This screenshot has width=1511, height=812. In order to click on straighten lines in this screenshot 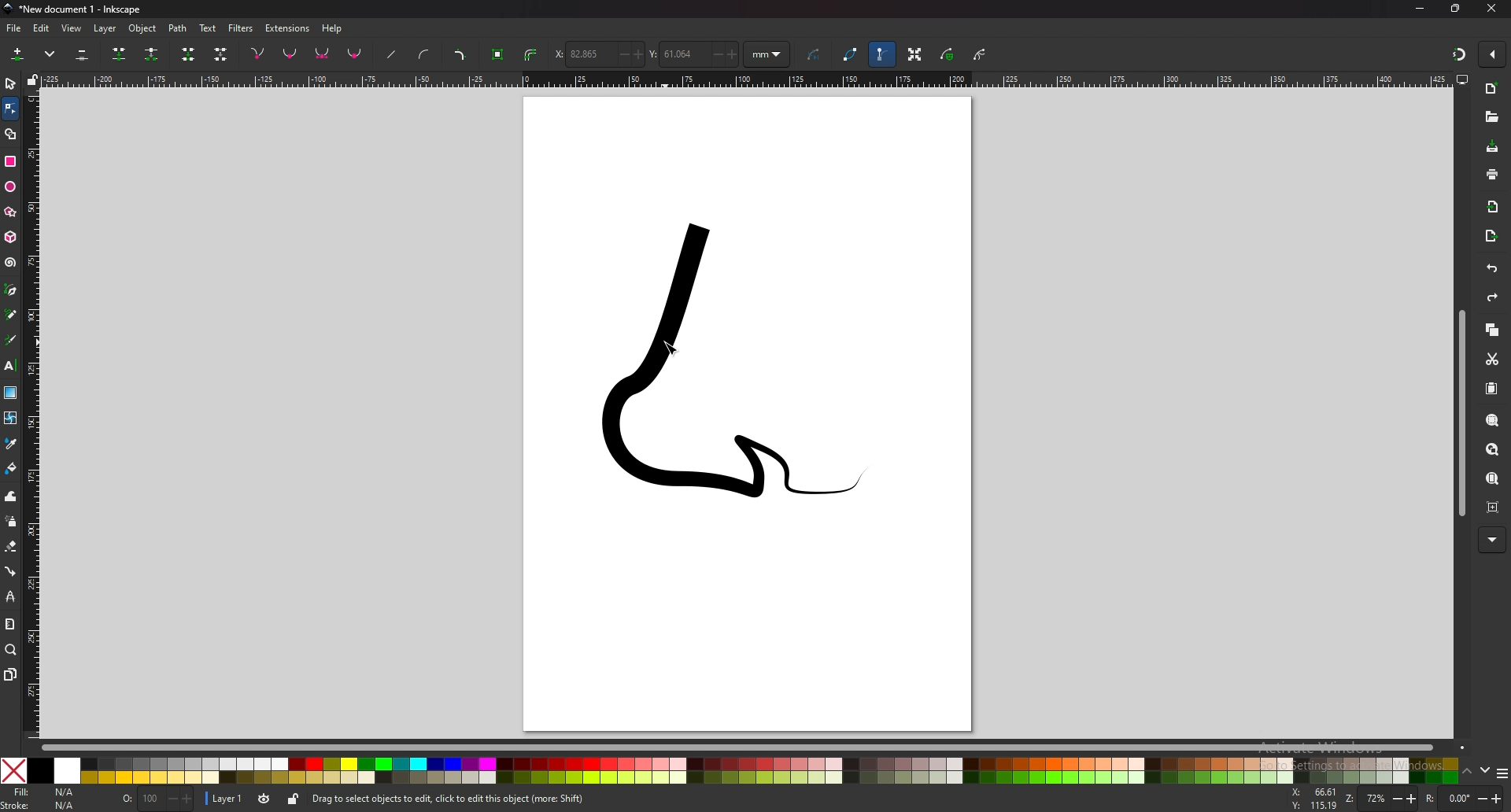, I will do `click(393, 56)`.